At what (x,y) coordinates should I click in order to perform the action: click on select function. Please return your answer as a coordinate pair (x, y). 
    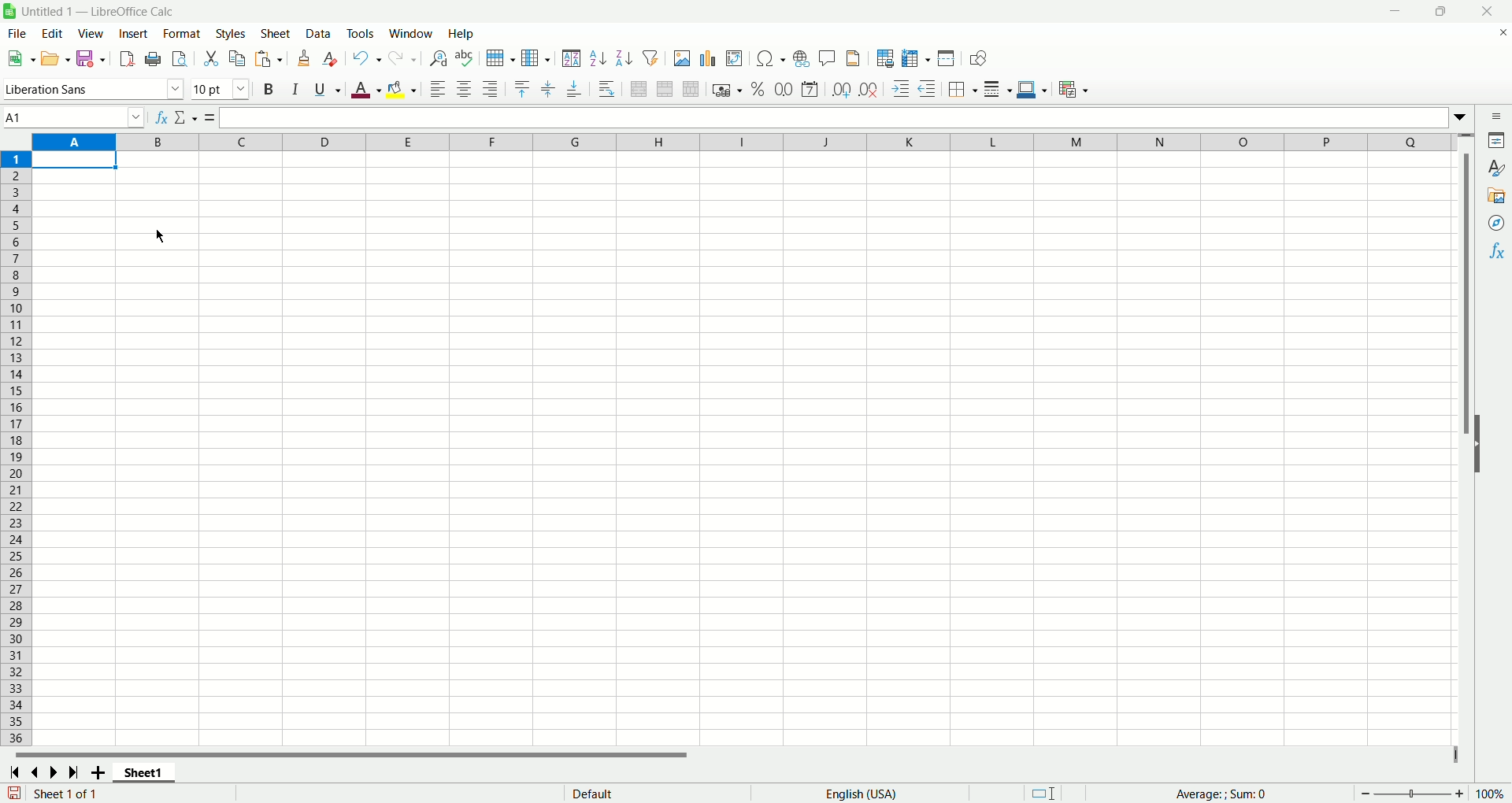
    Looking at the image, I should click on (187, 117).